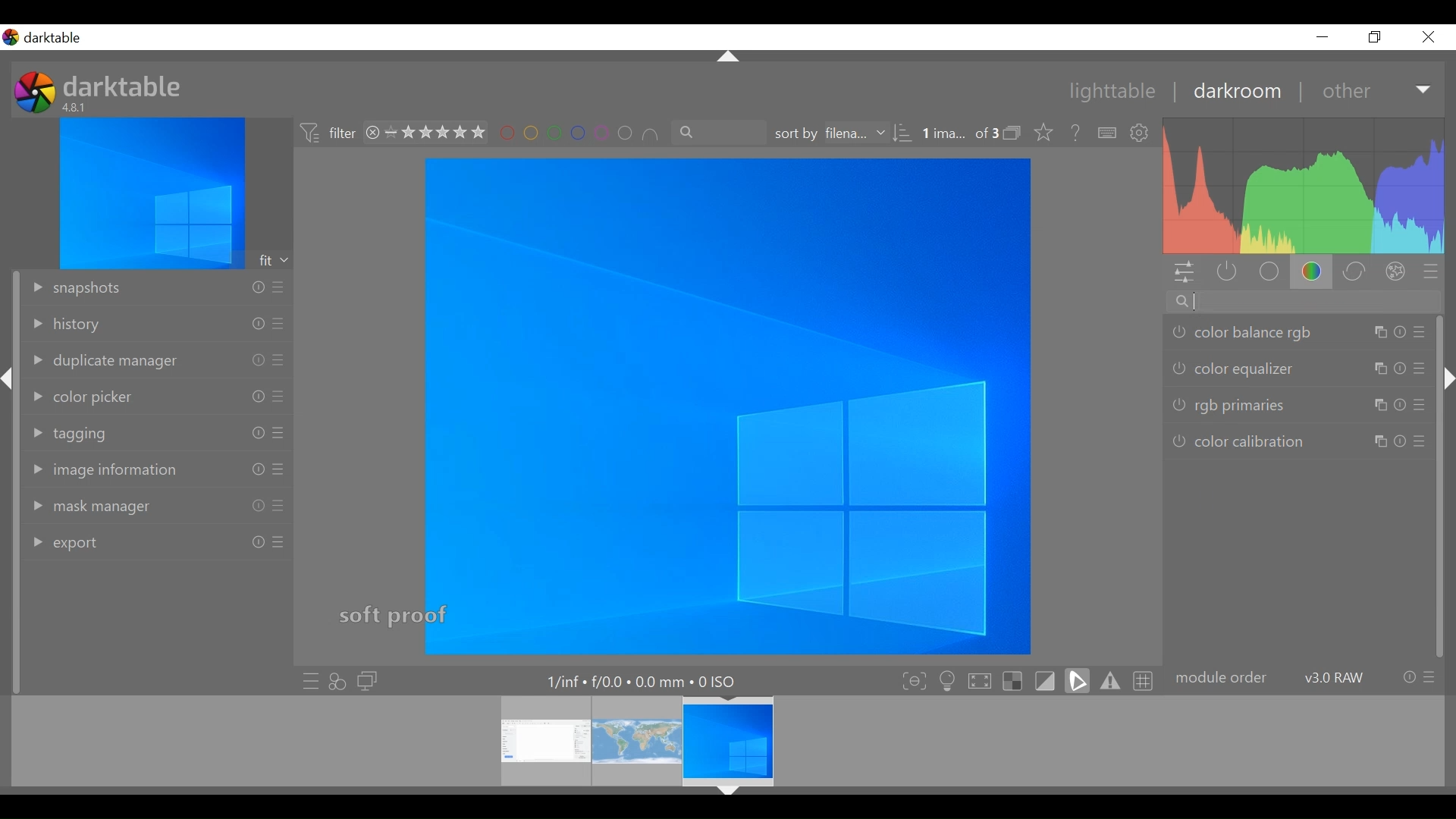  What do you see at coordinates (1399, 332) in the screenshot?
I see `info` at bounding box center [1399, 332].